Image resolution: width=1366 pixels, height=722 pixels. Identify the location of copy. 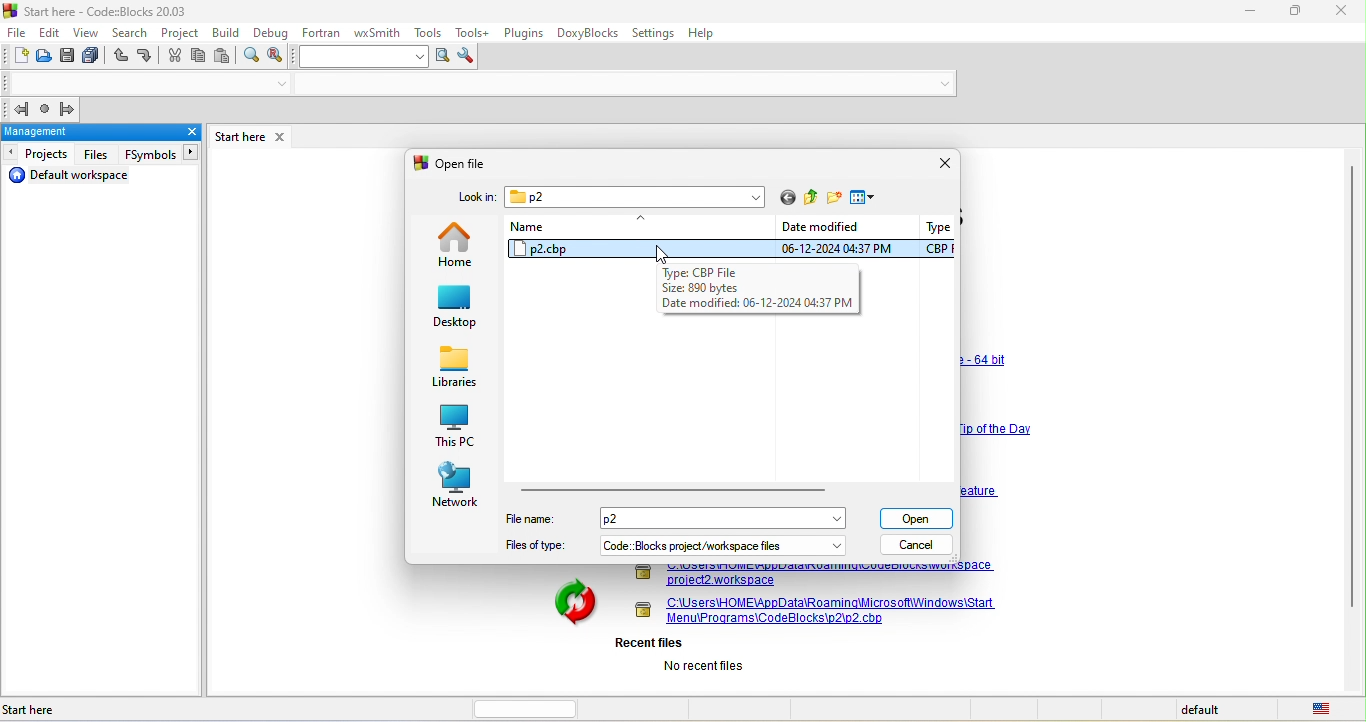
(199, 58).